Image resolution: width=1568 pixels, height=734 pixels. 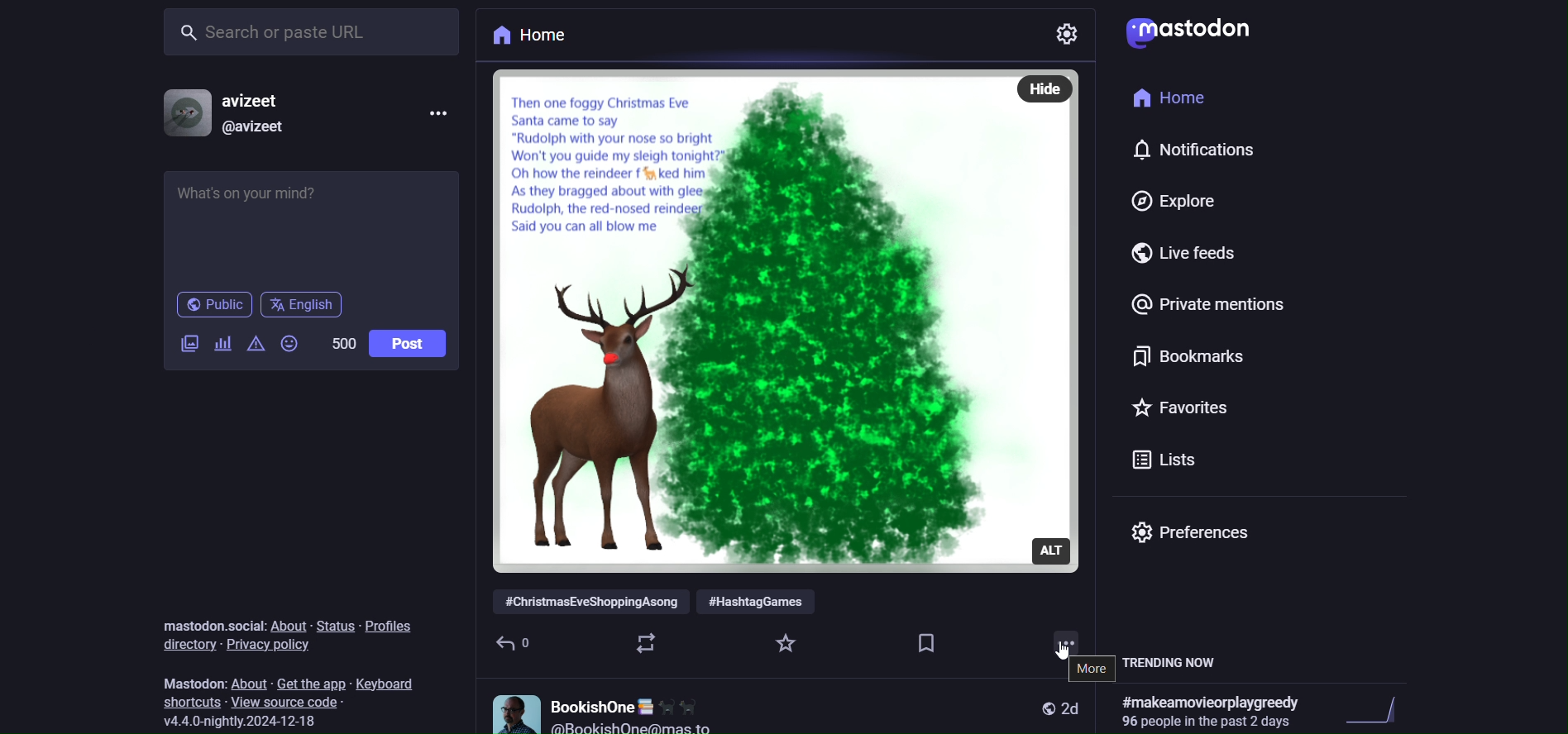 What do you see at coordinates (291, 343) in the screenshot?
I see `emoji` at bounding box center [291, 343].